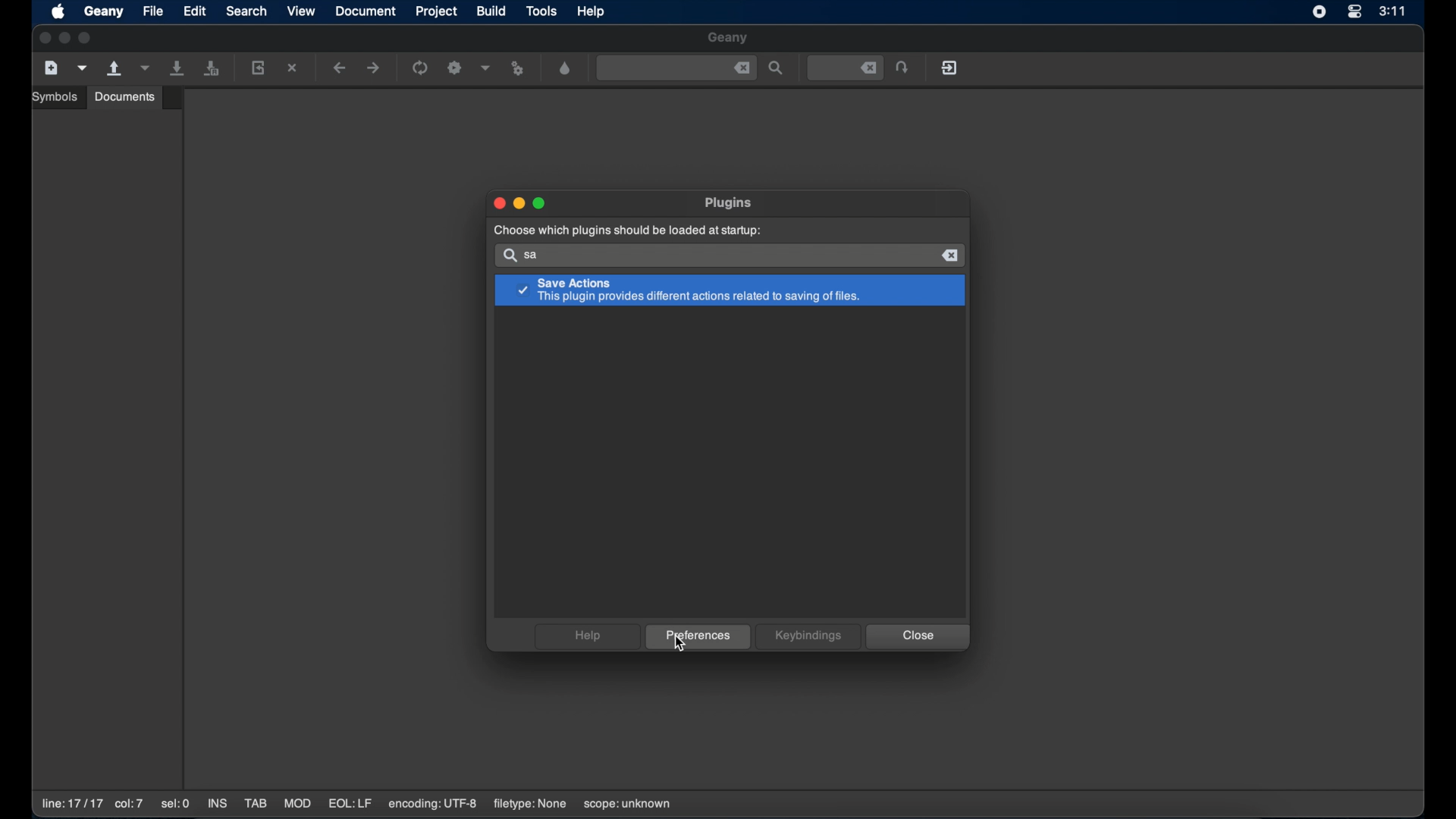 This screenshot has width=1456, height=819. I want to click on search, so click(508, 256).